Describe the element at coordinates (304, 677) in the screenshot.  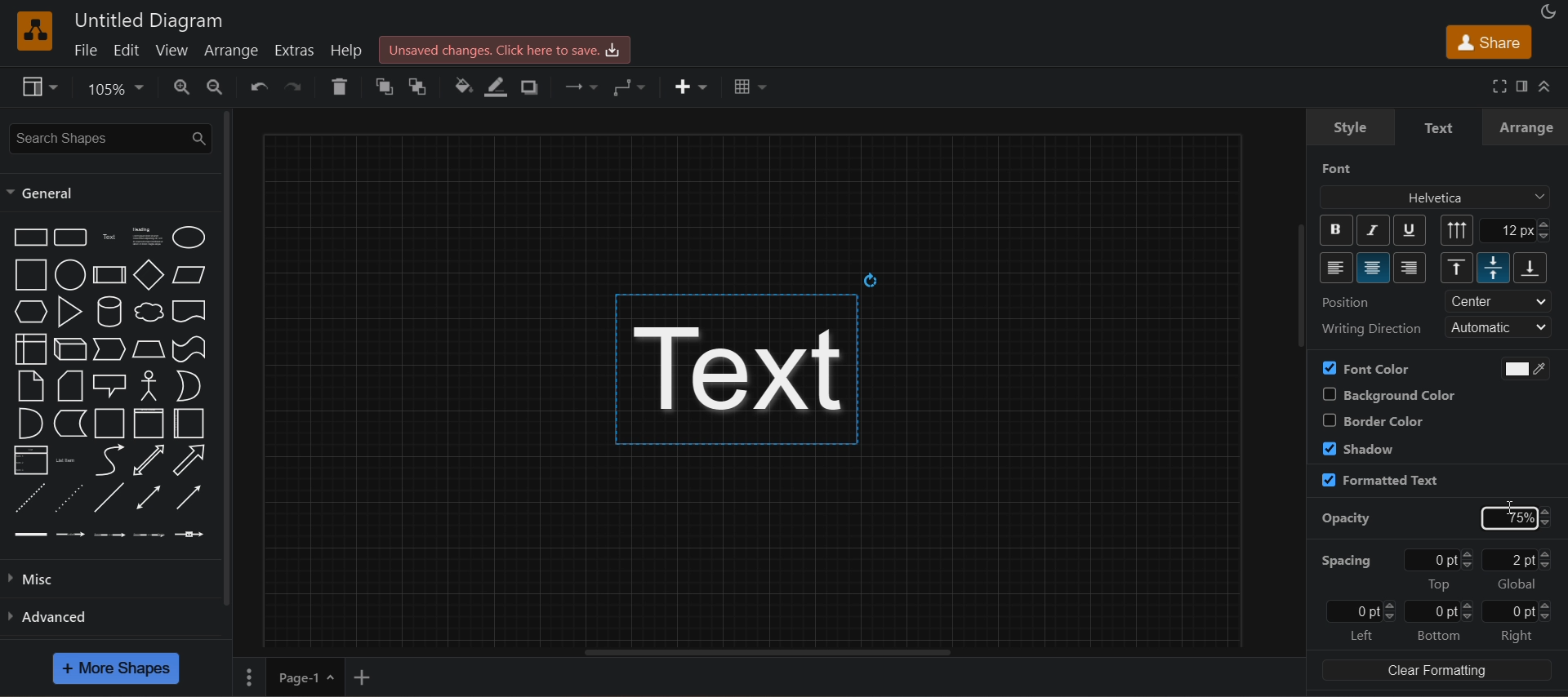
I see `page-1` at that location.